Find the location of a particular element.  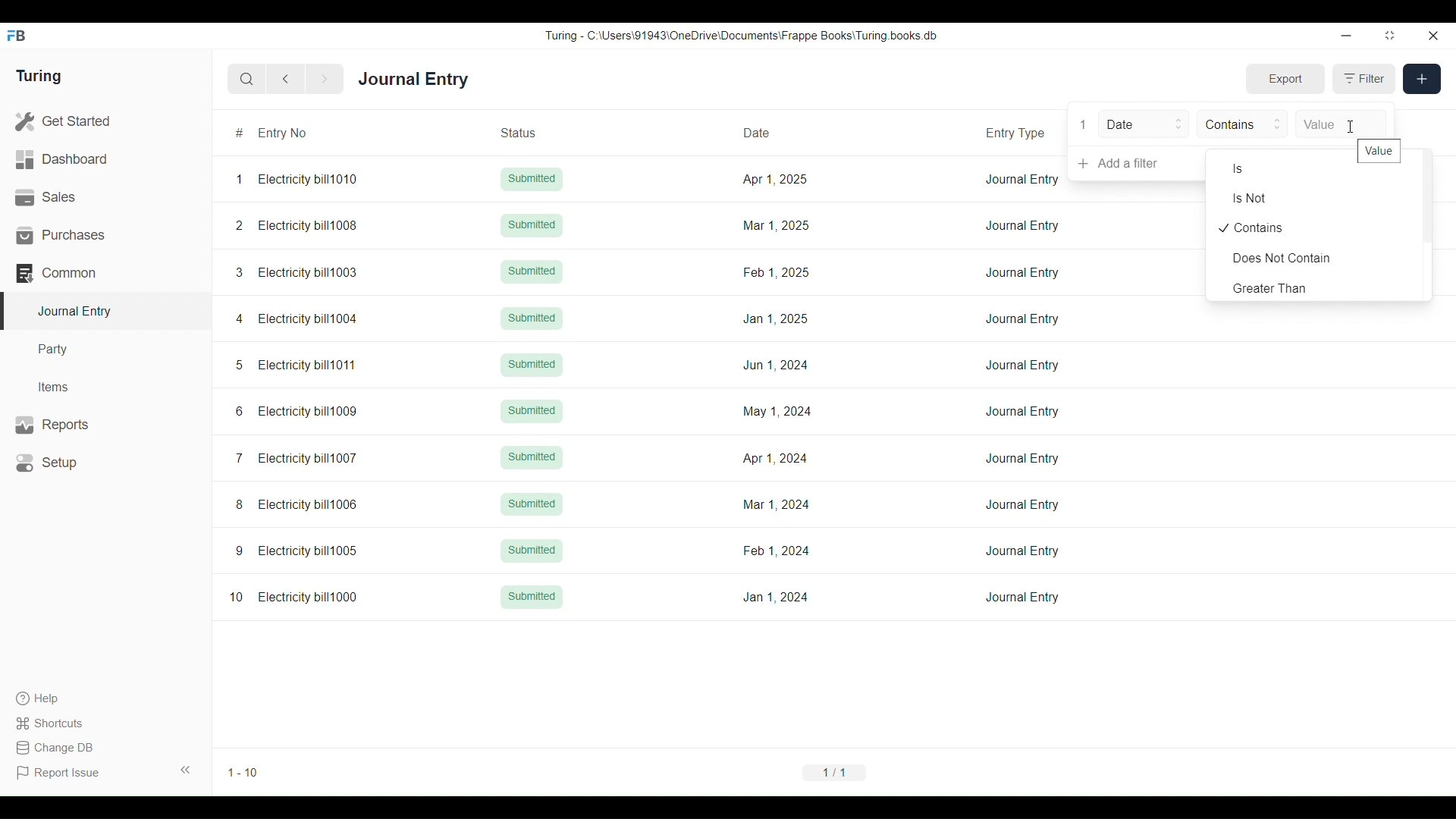

Does Not Contain is located at coordinates (1314, 259).